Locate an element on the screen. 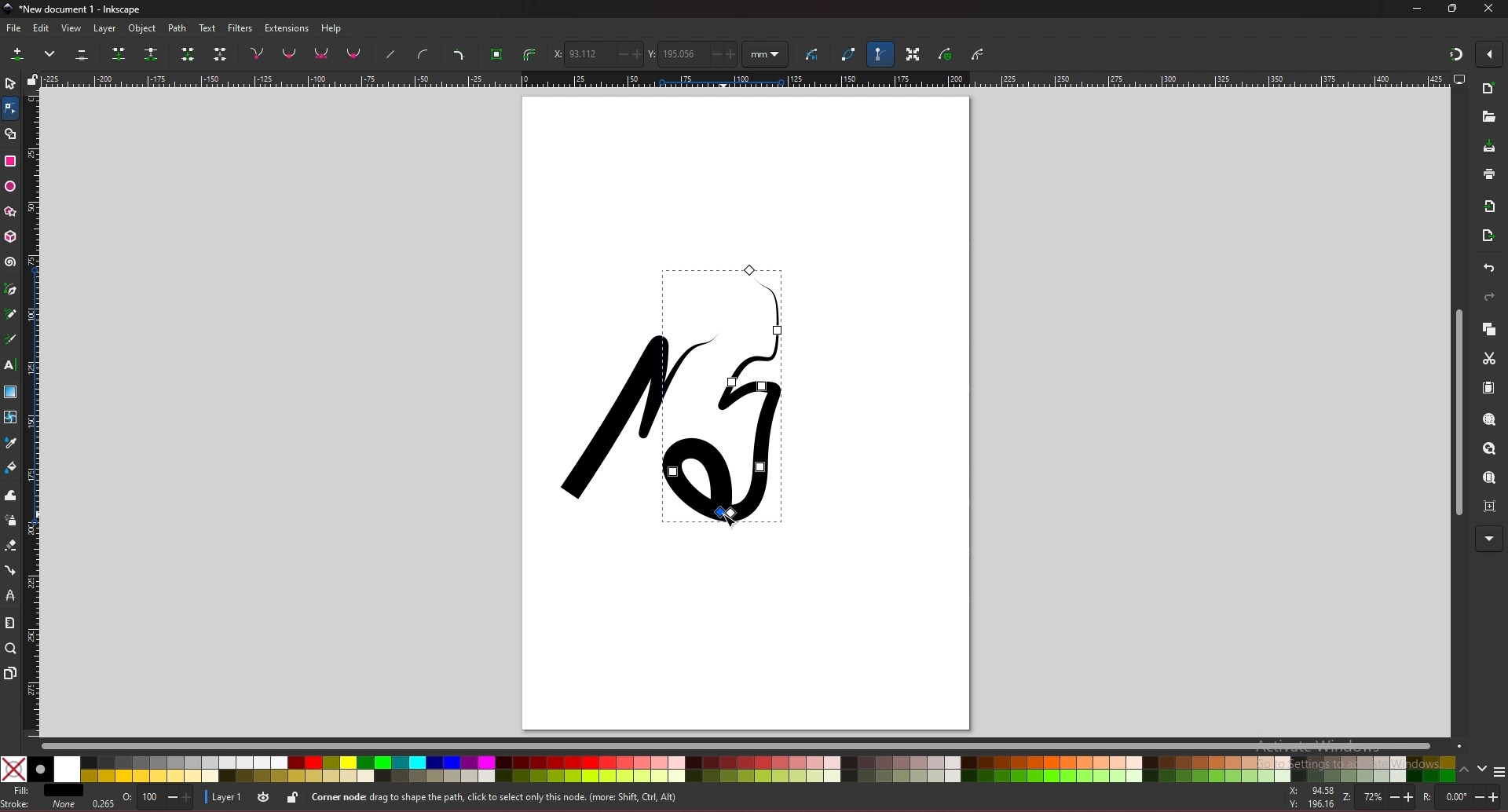  smooth node is located at coordinates (289, 53).